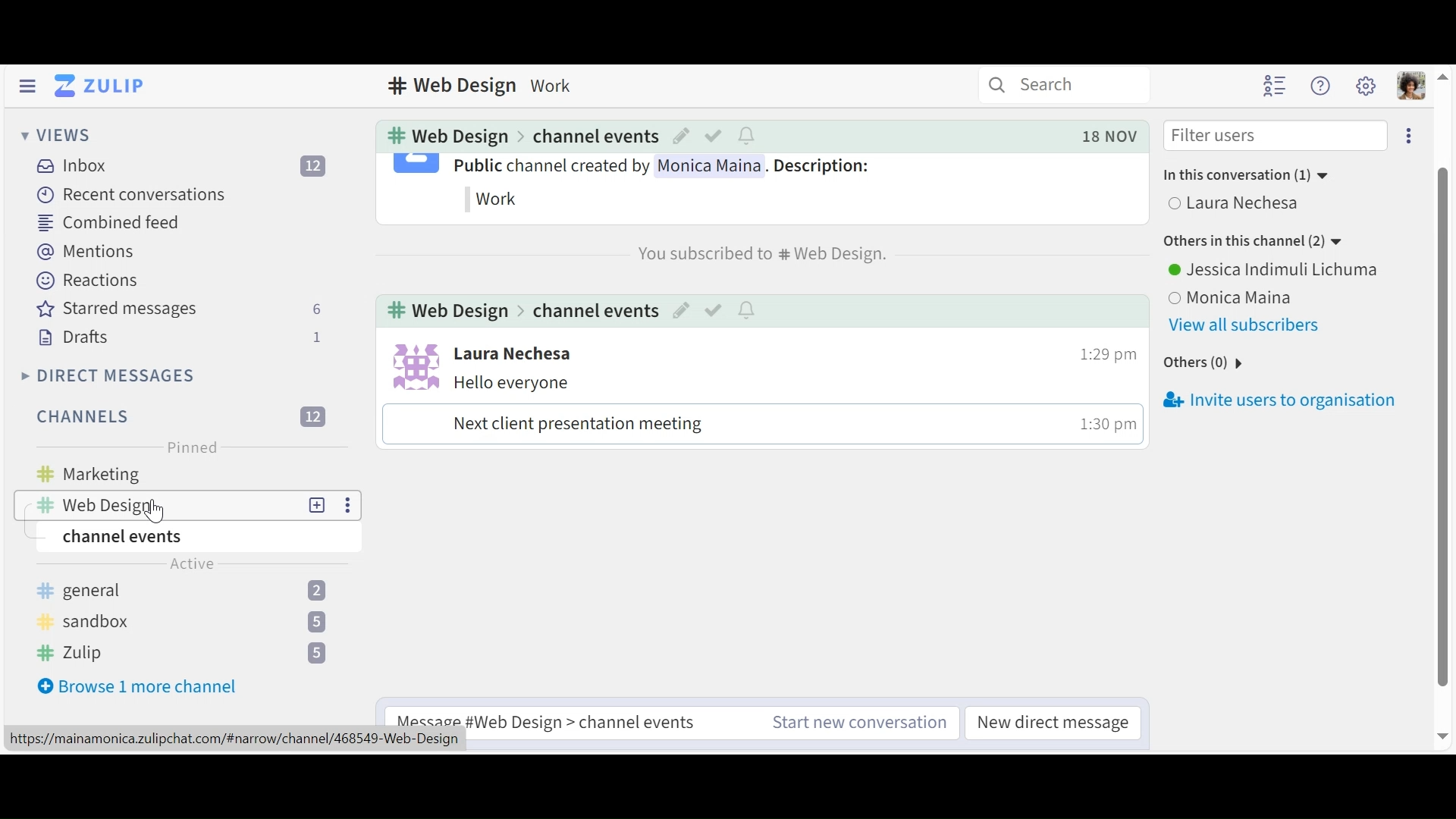  Describe the element at coordinates (1203, 363) in the screenshot. I see `Others (0)` at that location.